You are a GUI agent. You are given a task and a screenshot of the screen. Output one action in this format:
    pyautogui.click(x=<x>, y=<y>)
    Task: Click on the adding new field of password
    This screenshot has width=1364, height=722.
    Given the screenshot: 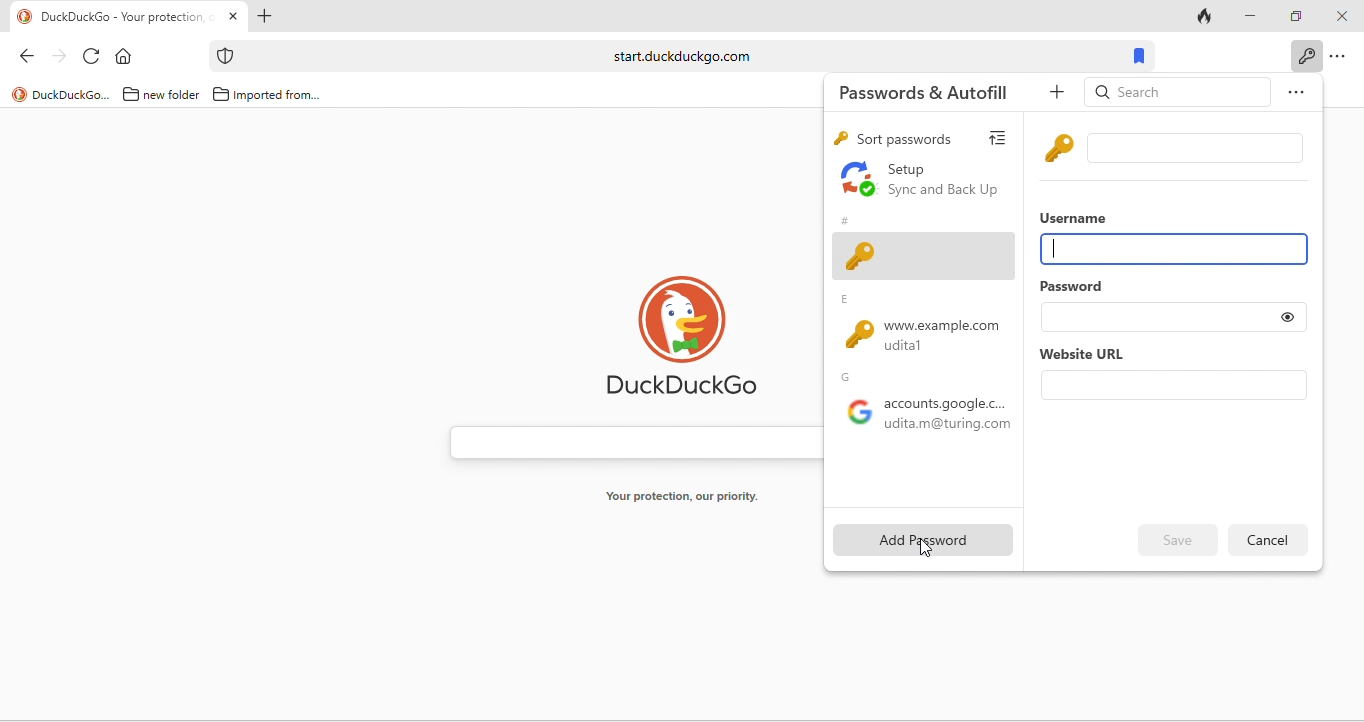 What is the action you would take?
    pyautogui.click(x=926, y=256)
    